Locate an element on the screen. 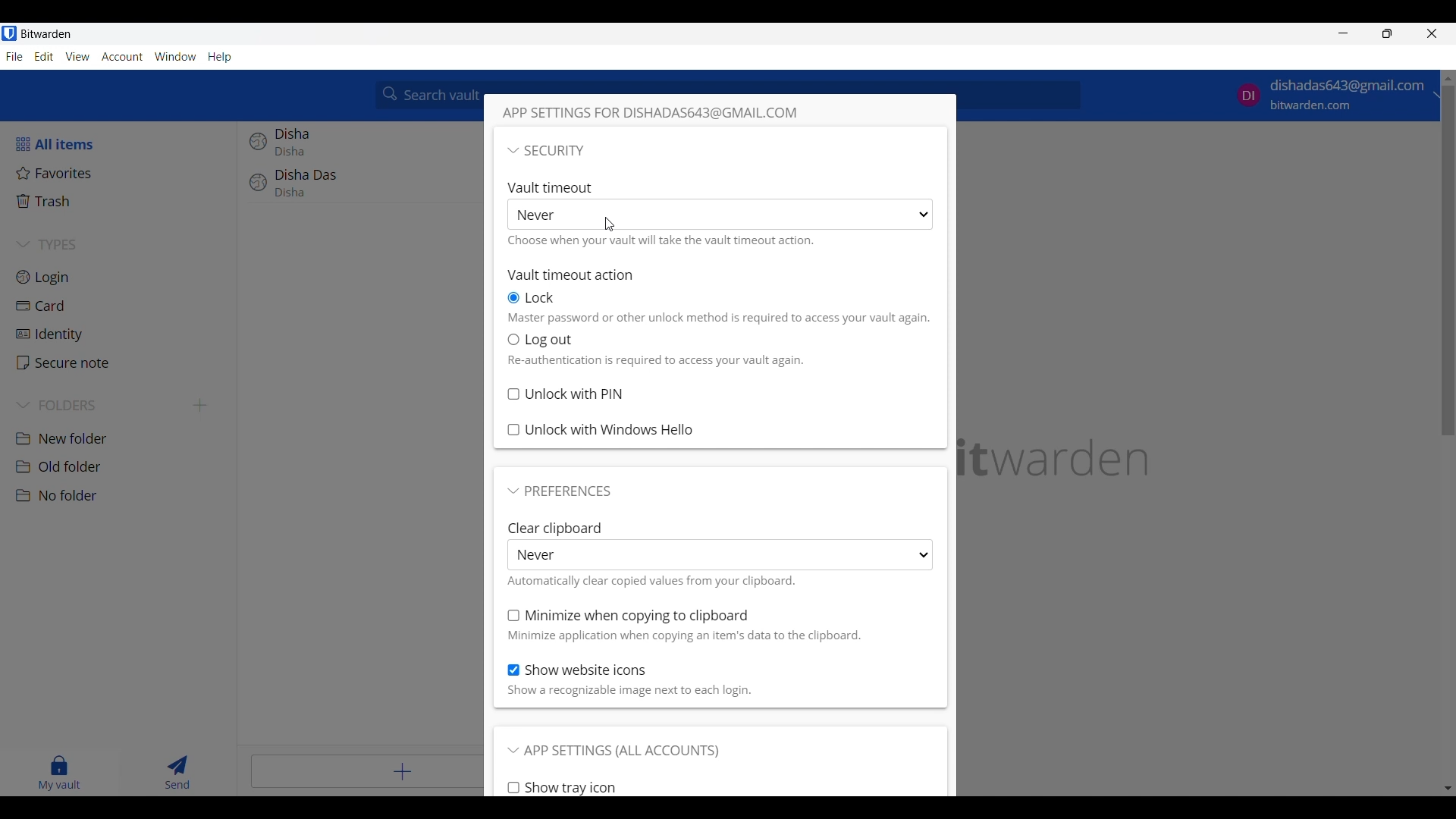 Image resolution: width=1456 pixels, height=819 pixels. All items is located at coordinates (121, 144).